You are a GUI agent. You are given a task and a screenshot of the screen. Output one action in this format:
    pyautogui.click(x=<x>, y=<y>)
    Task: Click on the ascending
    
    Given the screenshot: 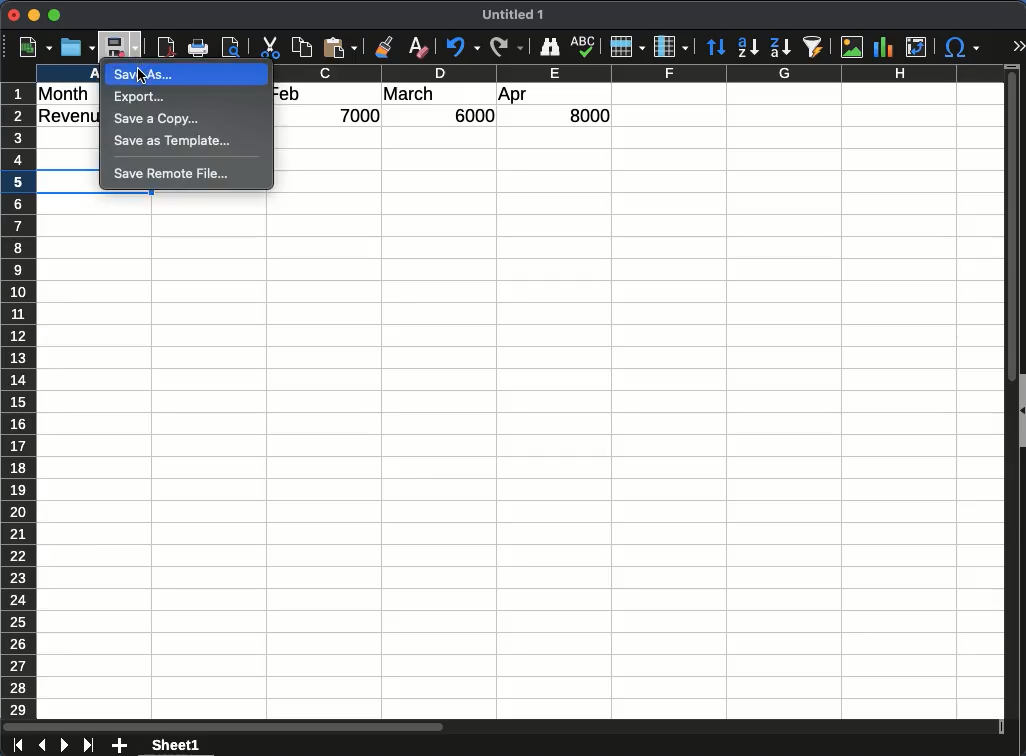 What is the action you would take?
    pyautogui.click(x=748, y=47)
    